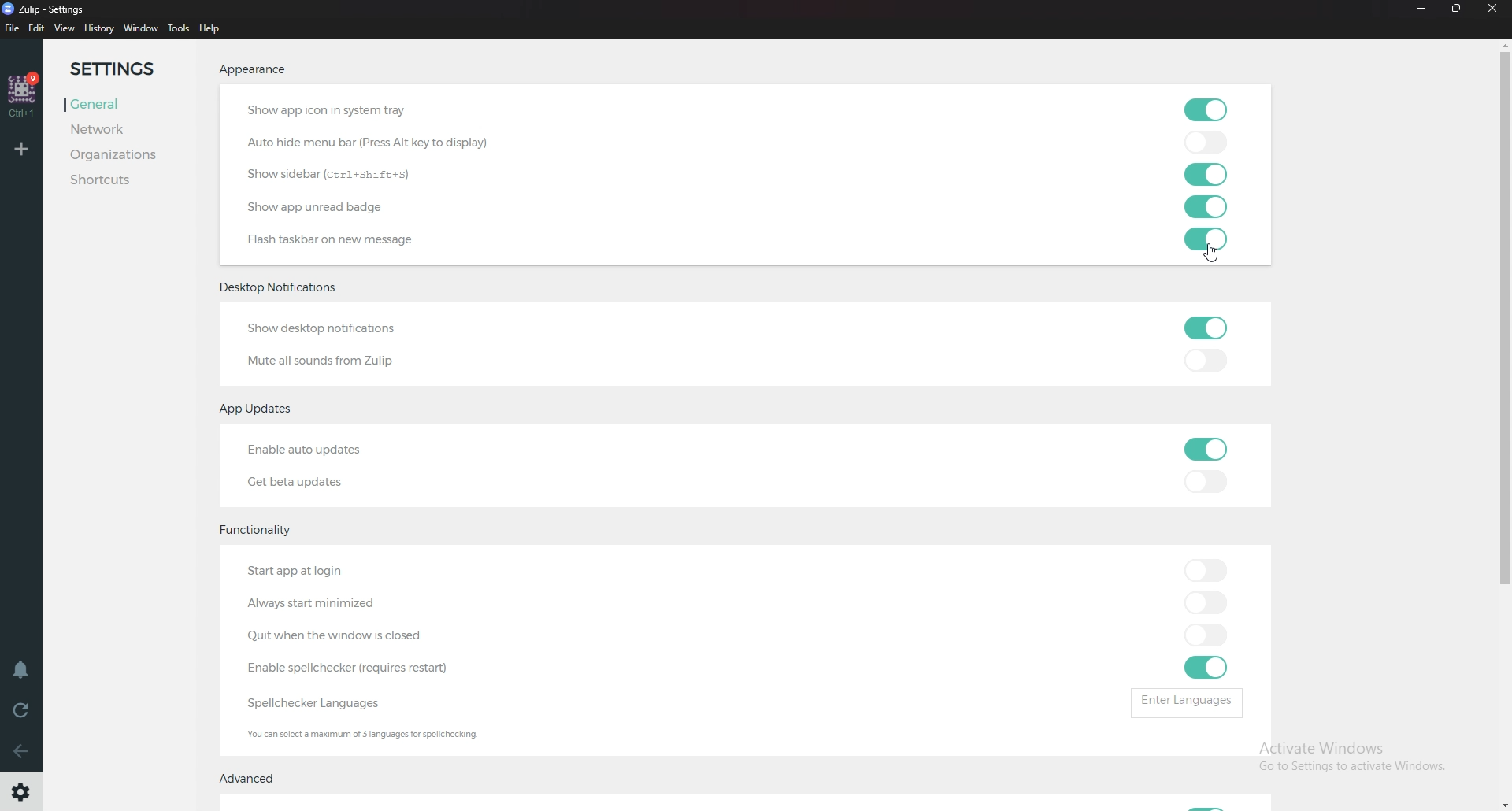 Image resolution: width=1512 pixels, height=811 pixels. Describe the element at coordinates (1203, 175) in the screenshot. I see `toggle` at that location.